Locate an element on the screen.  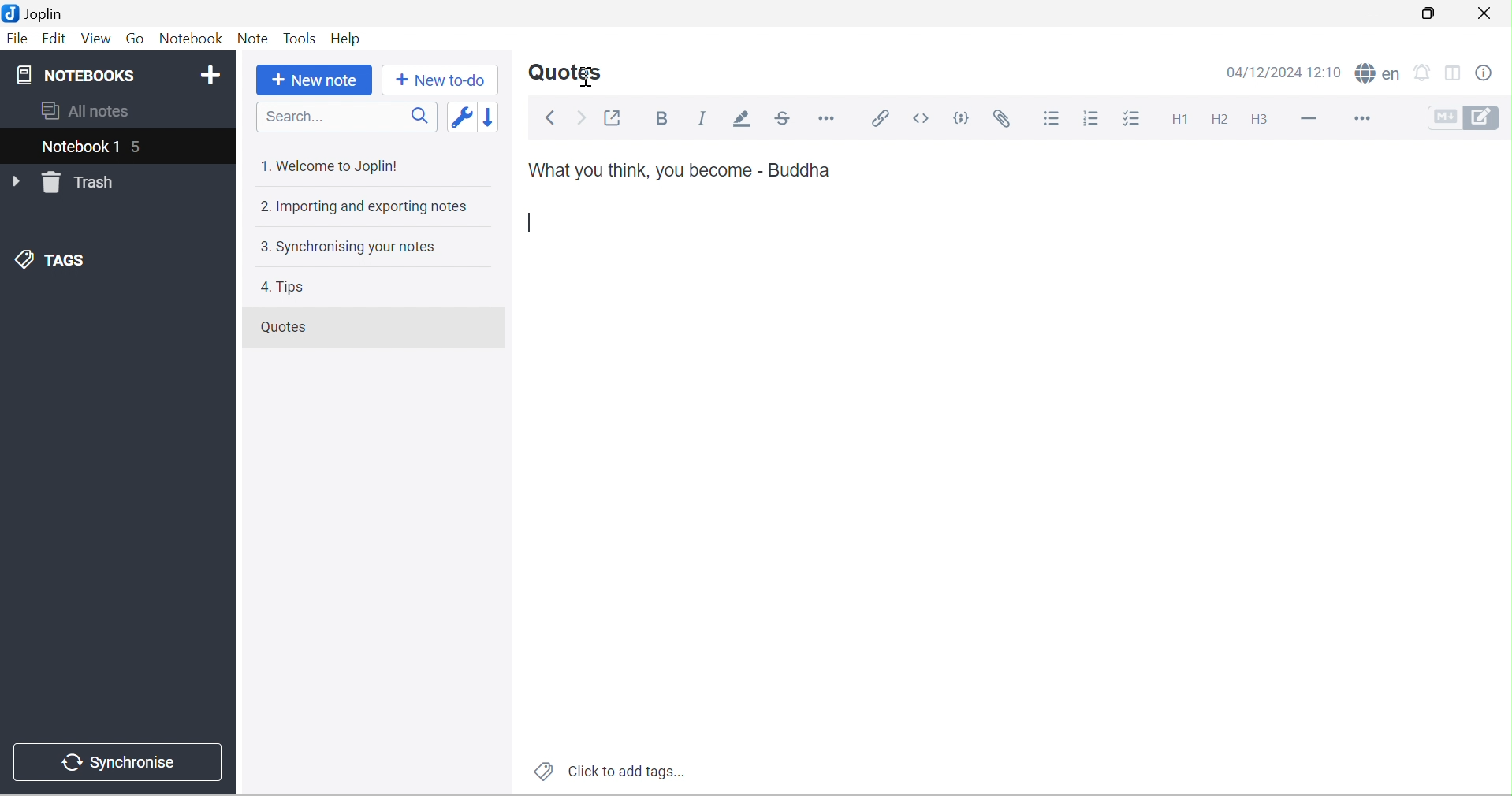
Strikethrough is located at coordinates (782, 119).